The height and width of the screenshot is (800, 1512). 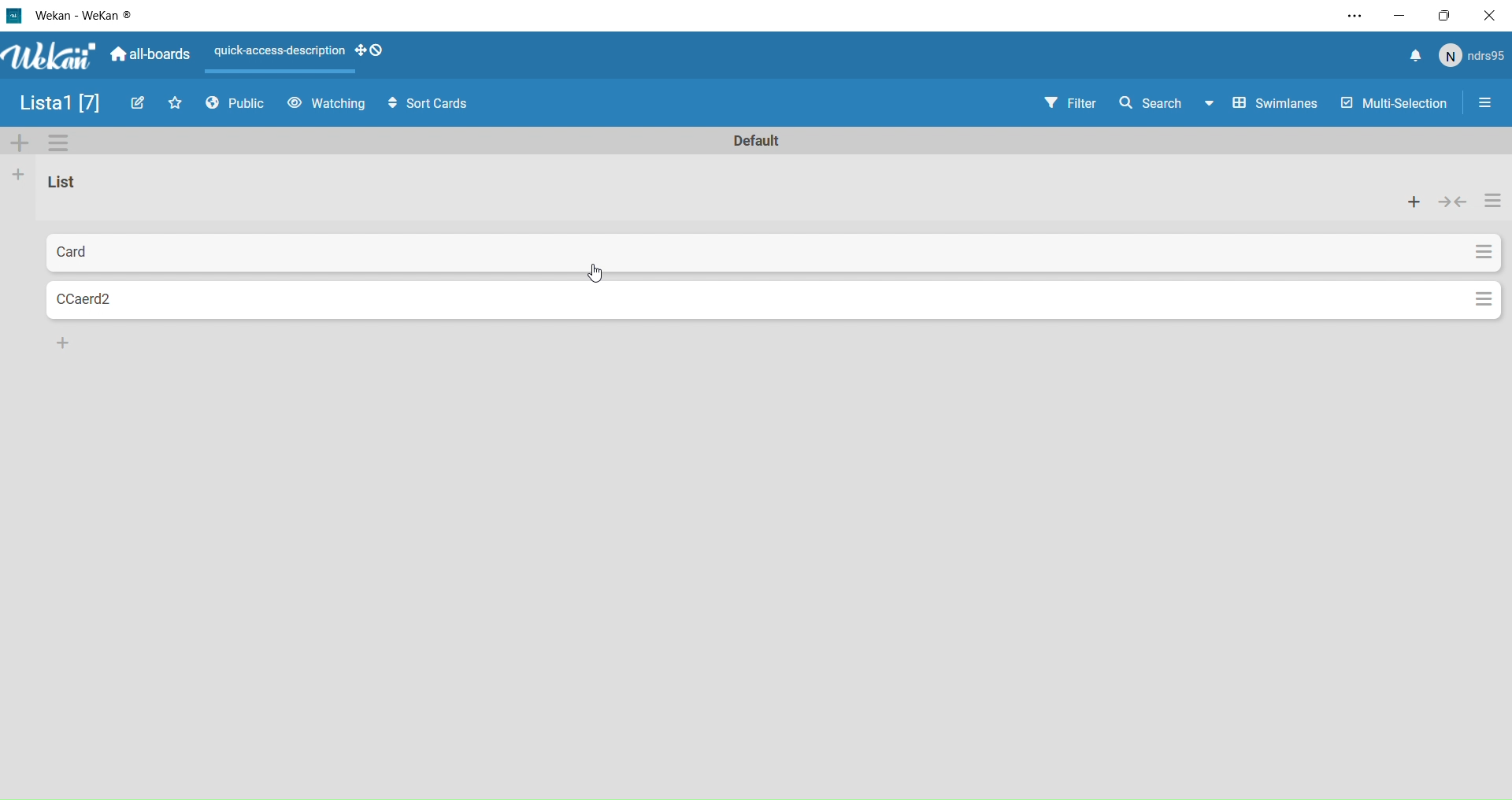 I want to click on Watching, so click(x=326, y=106).